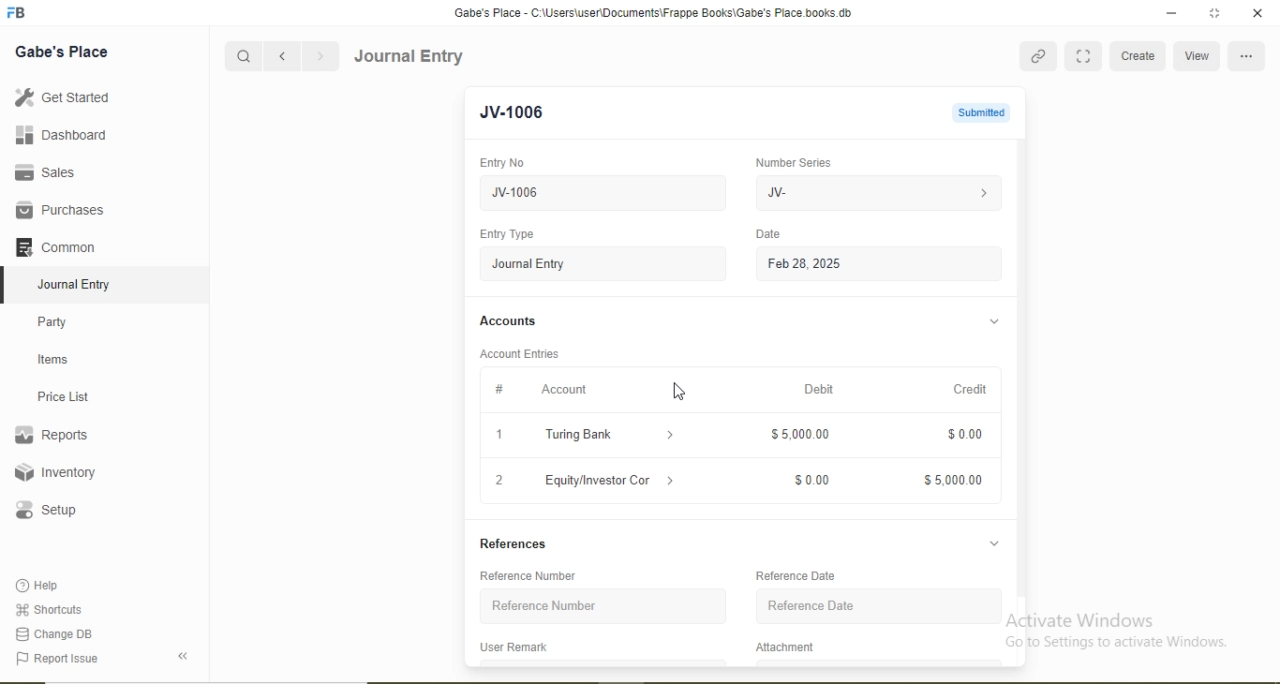  What do you see at coordinates (242, 57) in the screenshot?
I see `Search` at bounding box center [242, 57].